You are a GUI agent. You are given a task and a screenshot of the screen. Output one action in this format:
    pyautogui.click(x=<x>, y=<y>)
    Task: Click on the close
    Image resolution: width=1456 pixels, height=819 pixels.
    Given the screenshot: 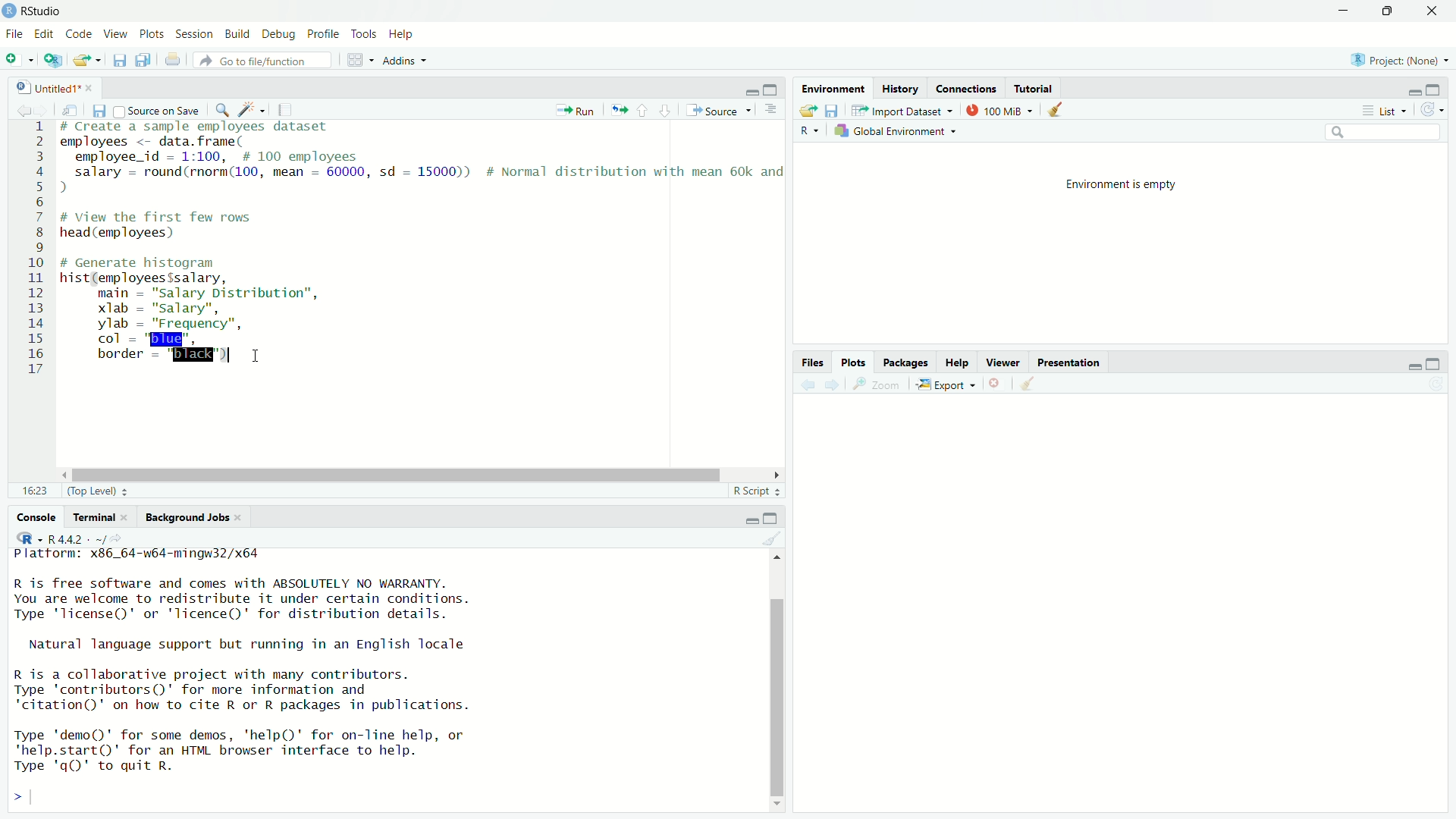 What is the action you would take?
    pyautogui.click(x=126, y=518)
    